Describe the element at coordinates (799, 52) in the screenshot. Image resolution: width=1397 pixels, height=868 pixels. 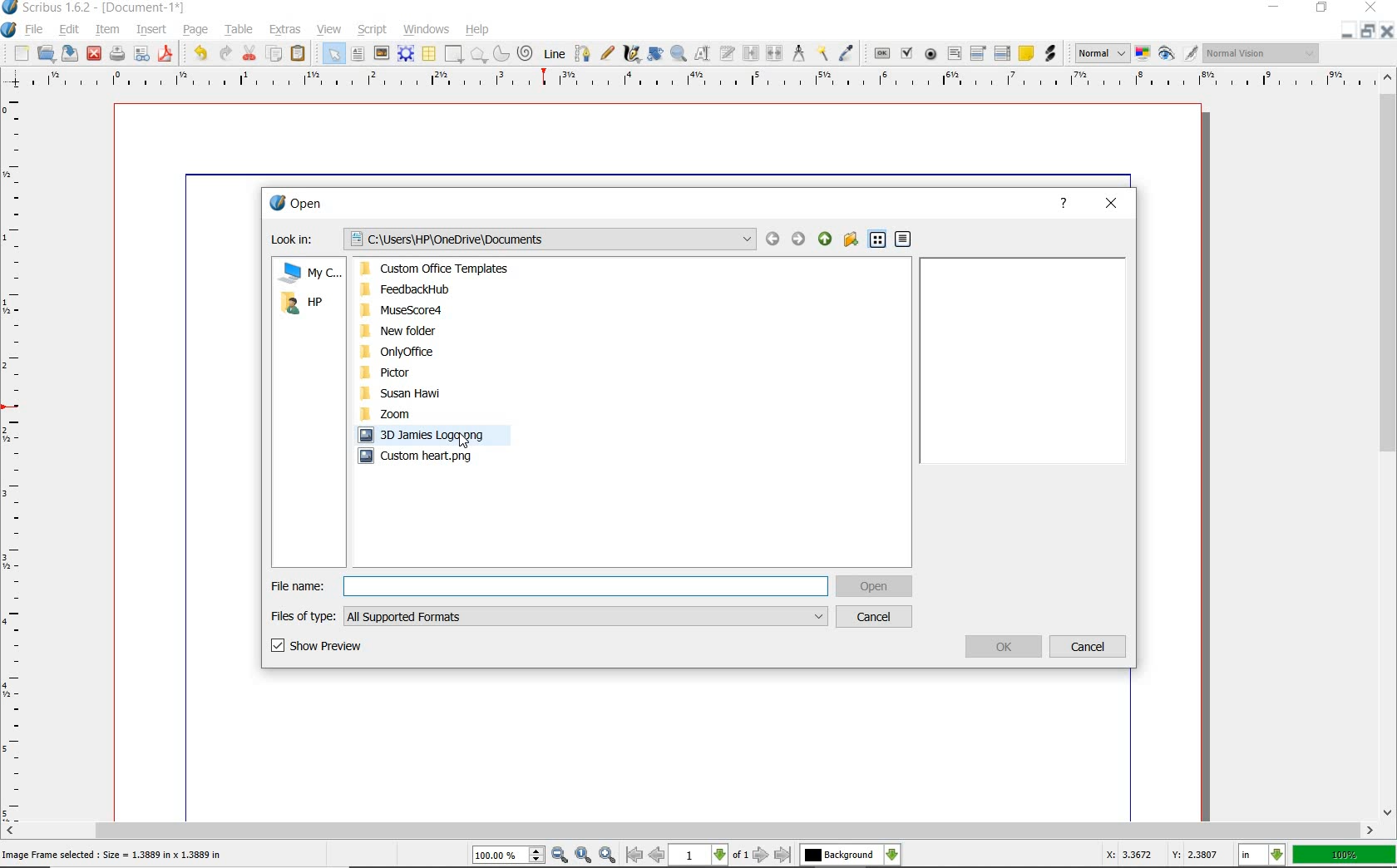
I see `measurements` at that location.